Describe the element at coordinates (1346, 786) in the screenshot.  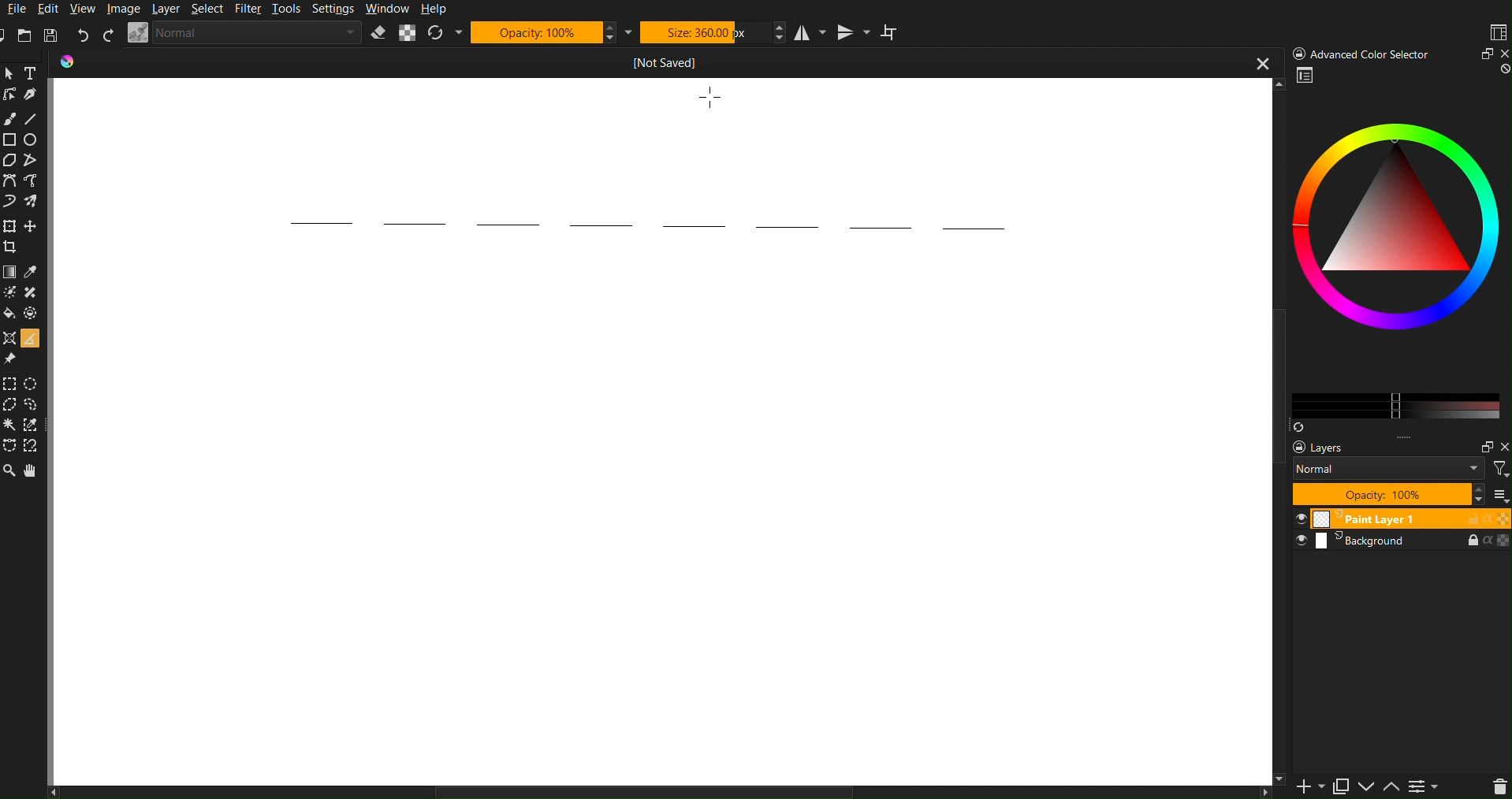
I see `Copy` at that location.